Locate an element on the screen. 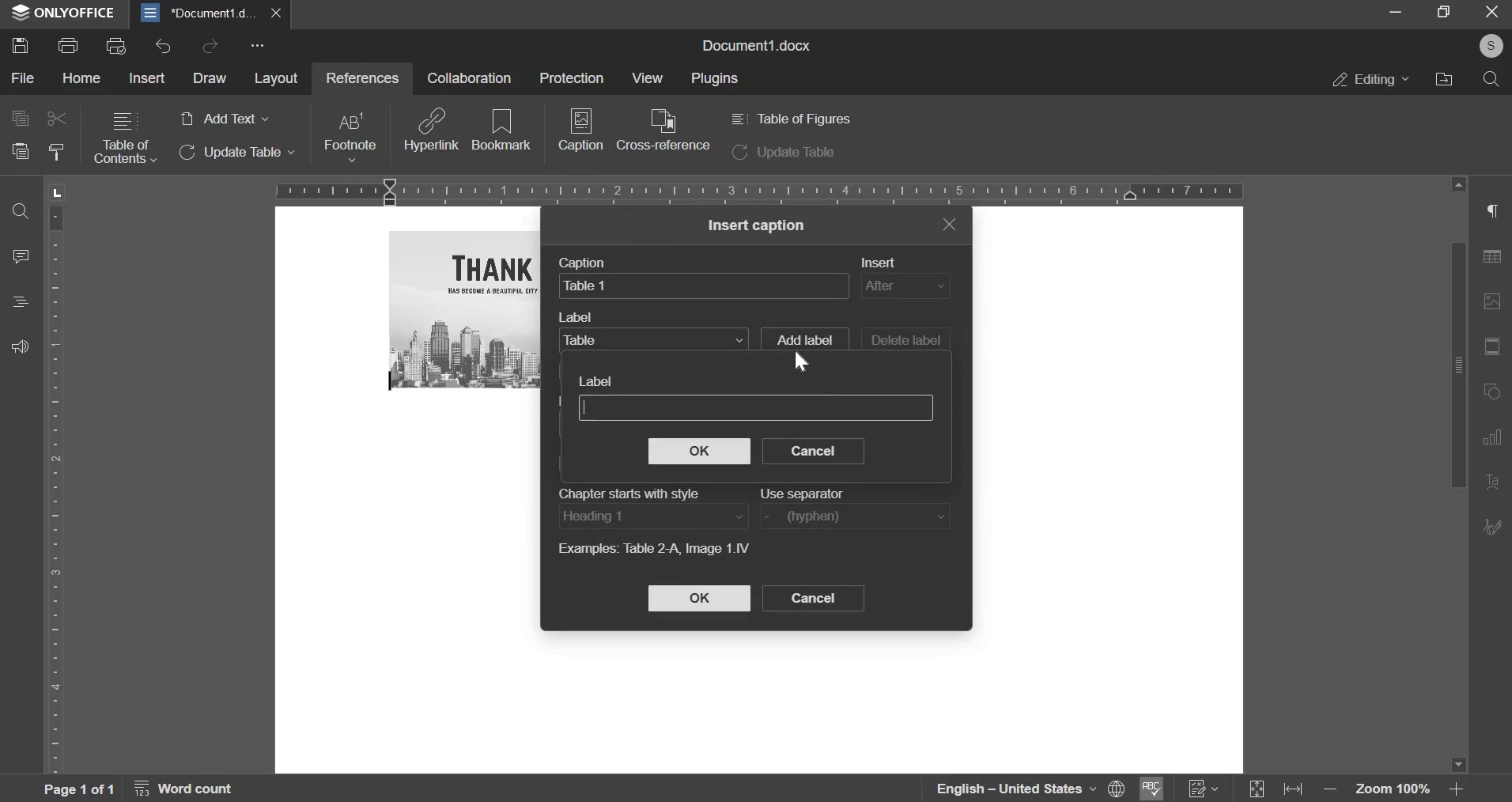 The height and width of the screenshot is (802, 1512). cancel is located at coordinates (813, 598).